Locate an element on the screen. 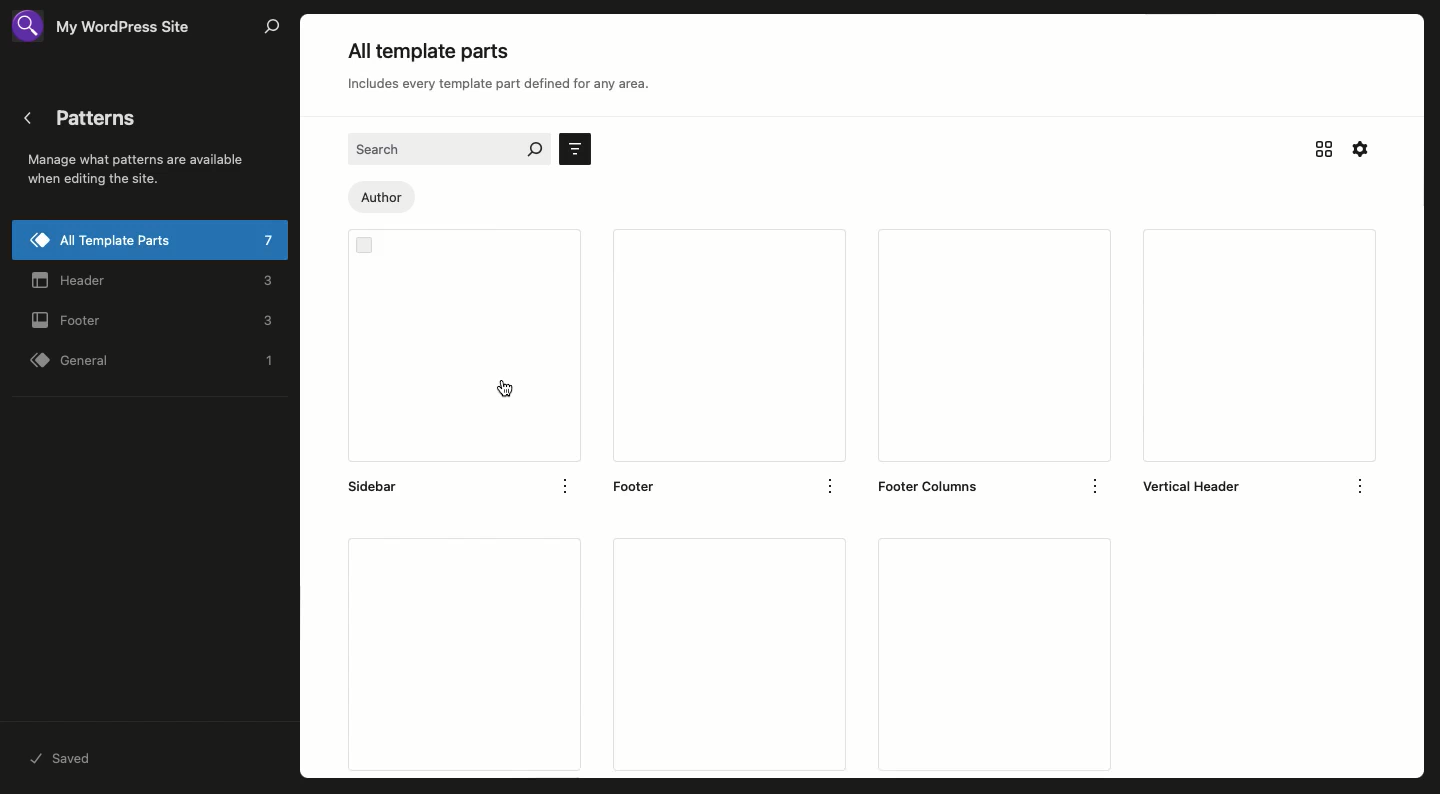 This screenshot has width=1440, height=794. Sidebar is located at coordinates (463, 360).